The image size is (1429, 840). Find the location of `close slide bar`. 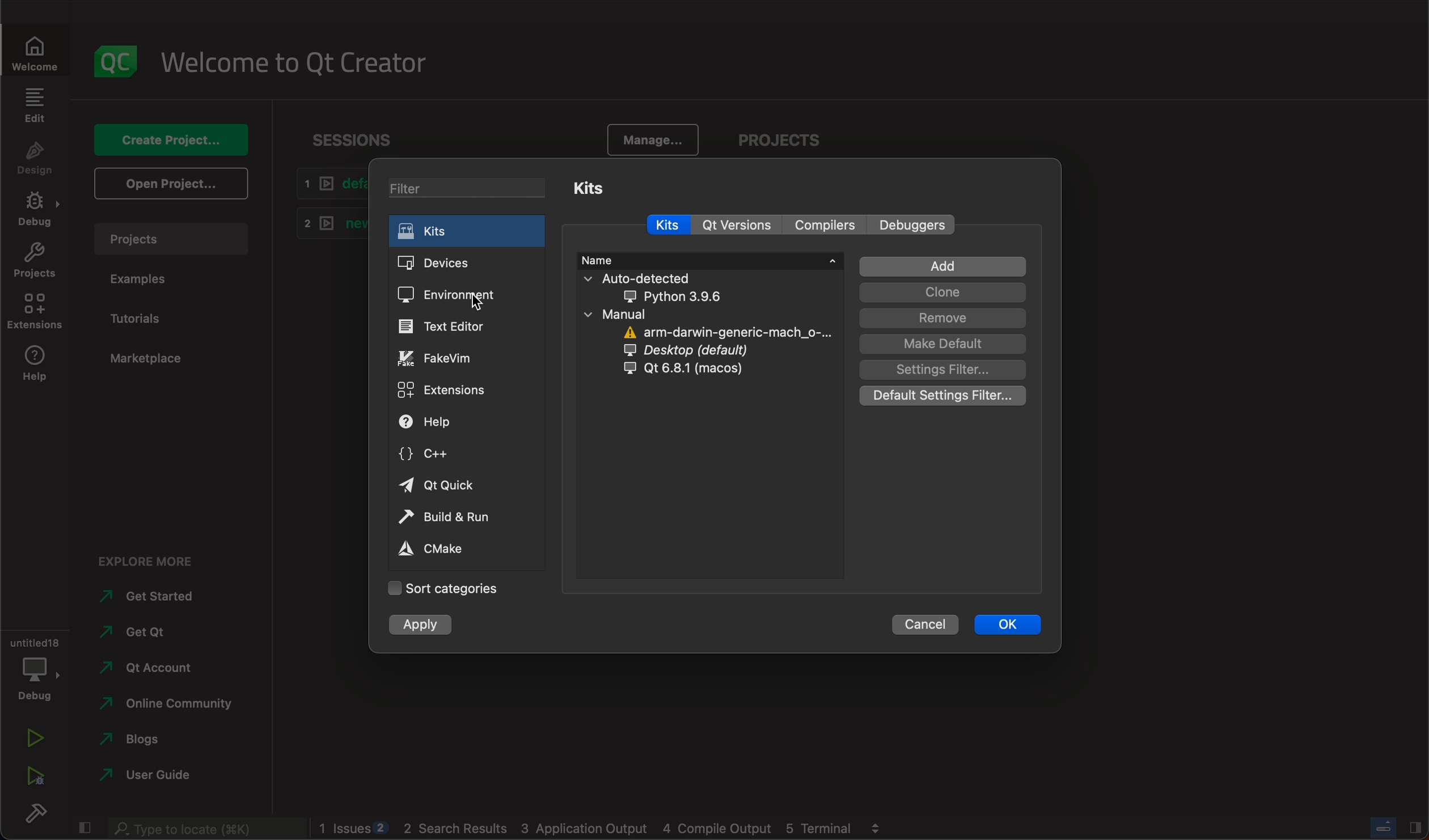

close slide bar is located at coordinates (84, 829).